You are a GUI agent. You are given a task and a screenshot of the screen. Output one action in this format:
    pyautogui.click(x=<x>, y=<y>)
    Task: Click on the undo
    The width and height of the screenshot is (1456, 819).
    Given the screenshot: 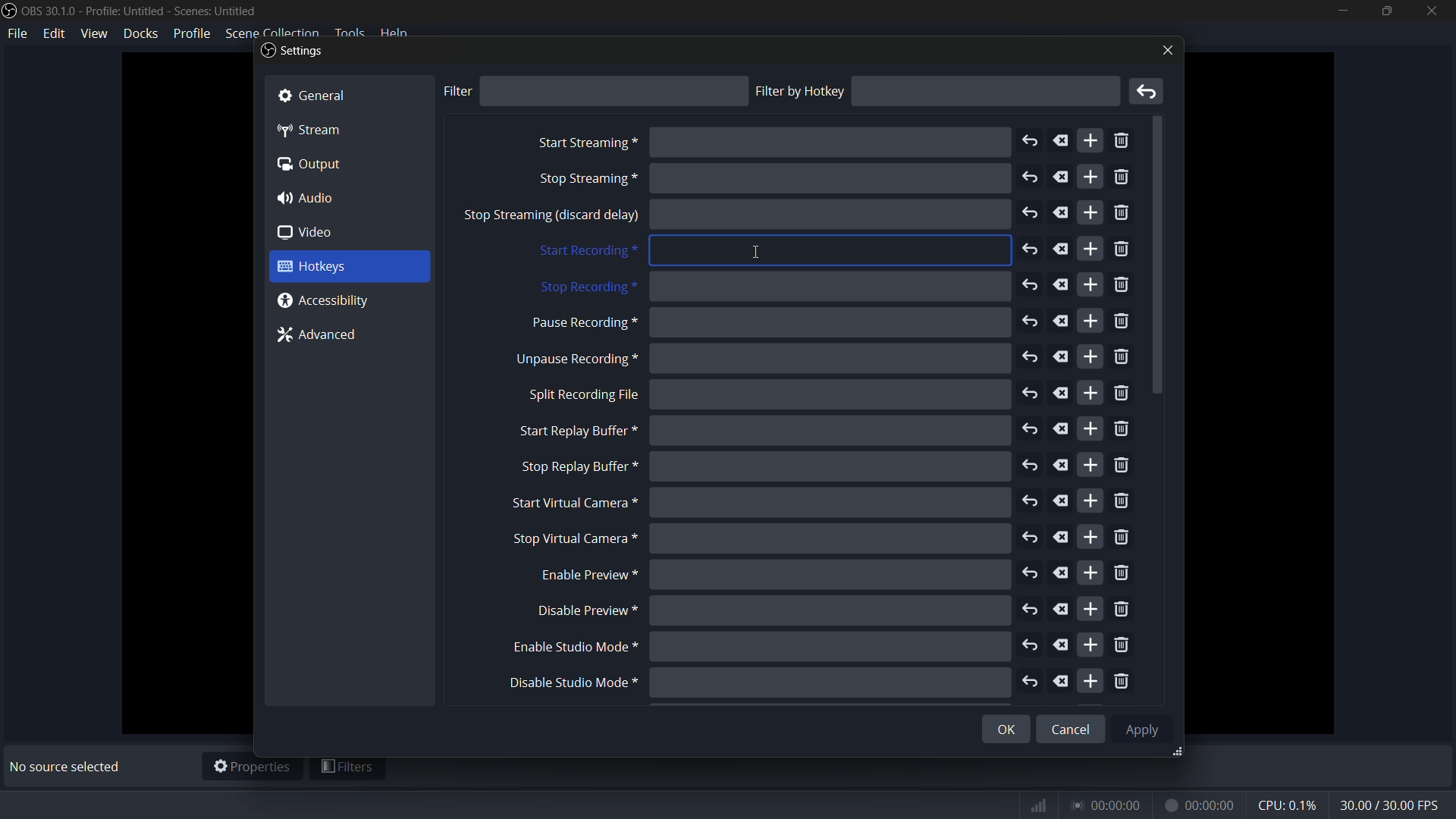 What is the action you would take?
    pyautogui.click(x=1031, y=428)
    